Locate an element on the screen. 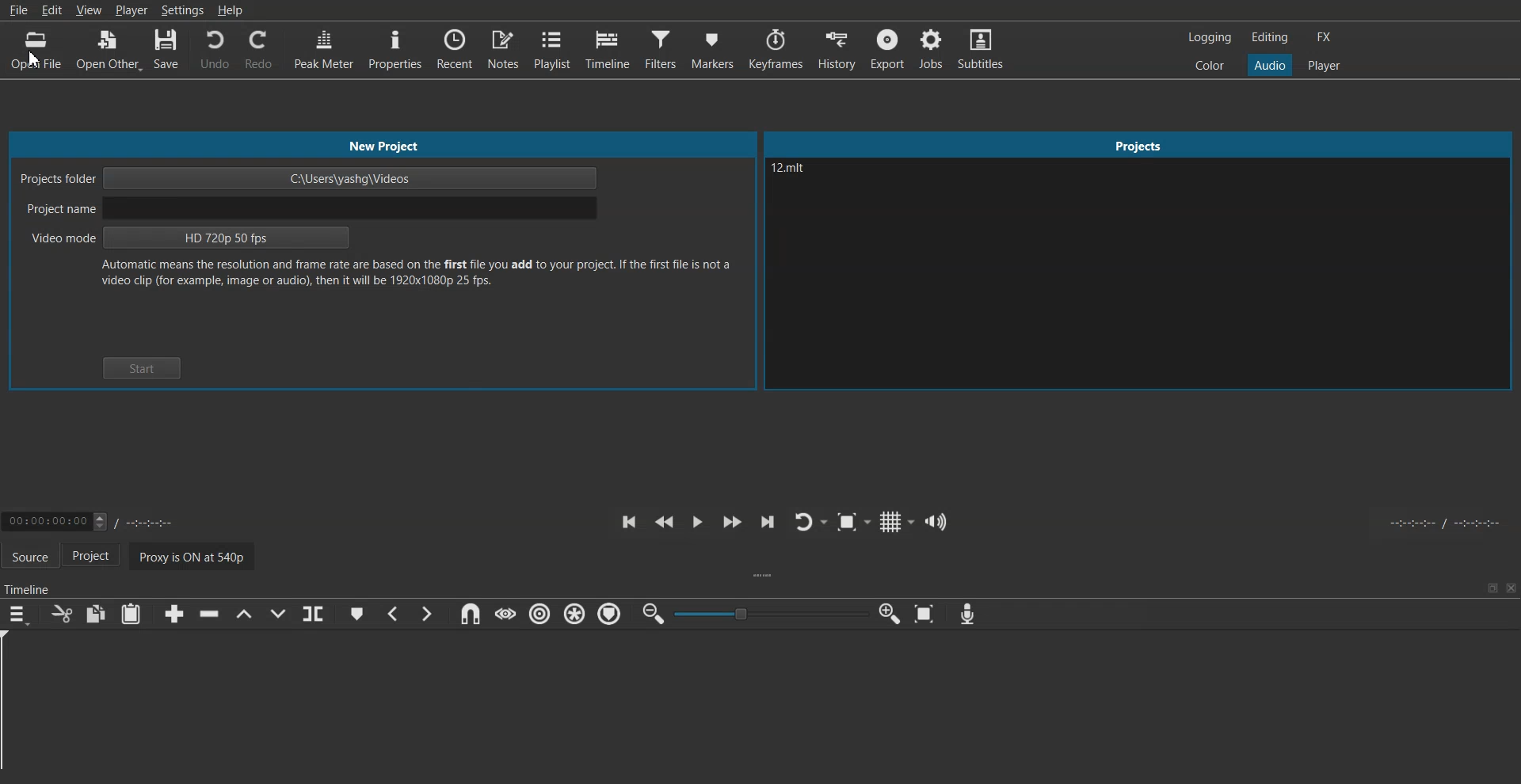 The width and height of the screenshot is (1521, 784). Timeline is located at coordinates (29, 585).